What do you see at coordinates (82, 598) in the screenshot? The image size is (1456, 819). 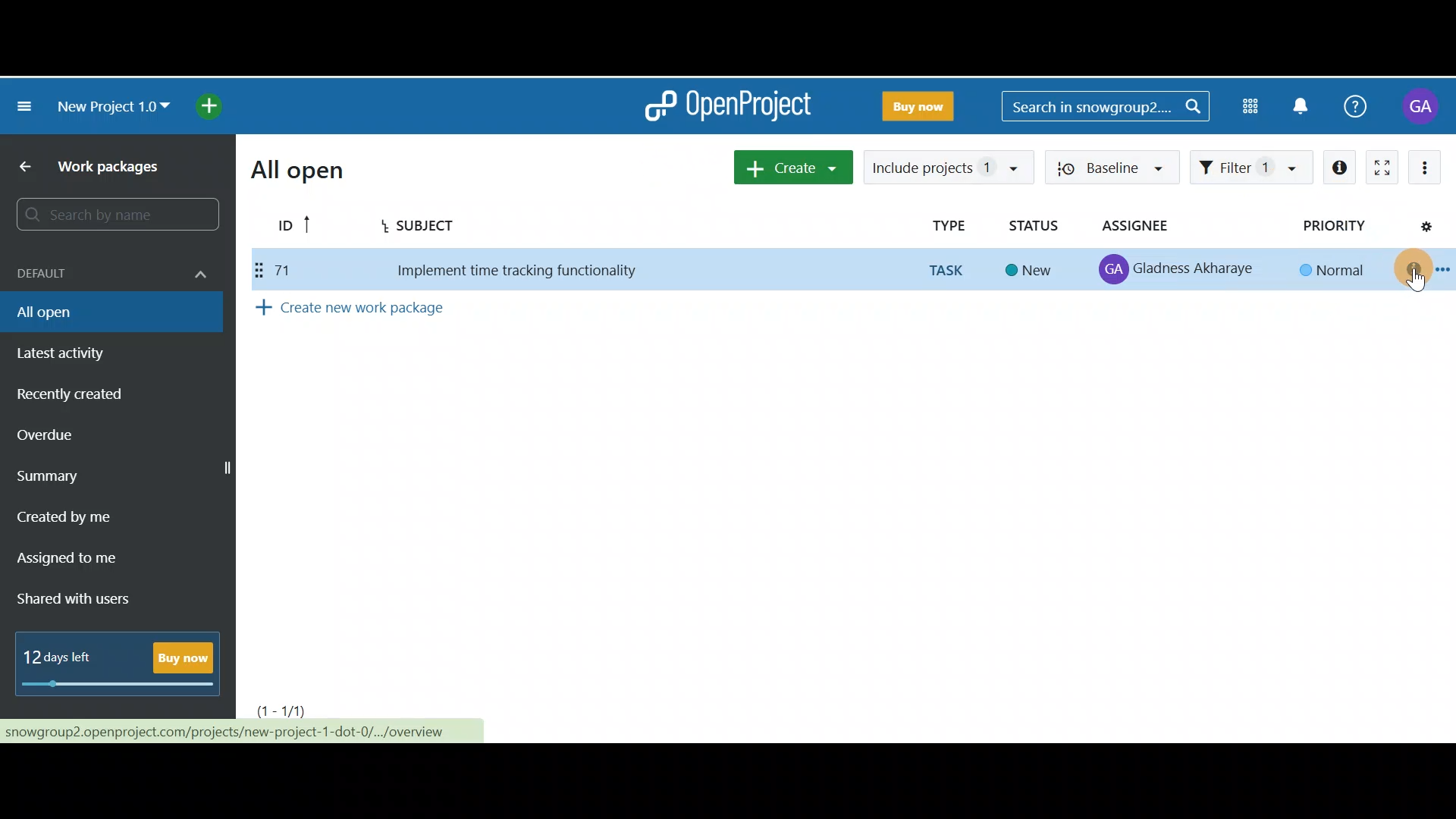 I see `Shared with users` at bounding box center [82, 598].